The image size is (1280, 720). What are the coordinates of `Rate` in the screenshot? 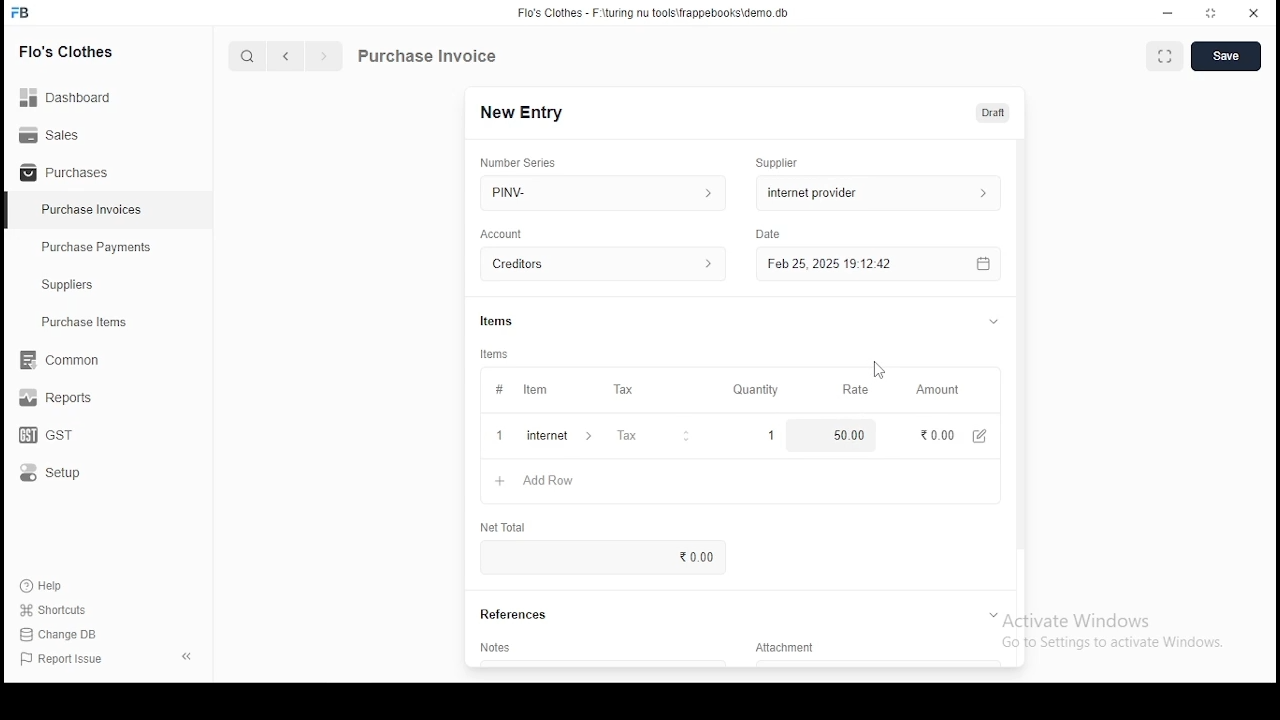 It's located at (857, 389).